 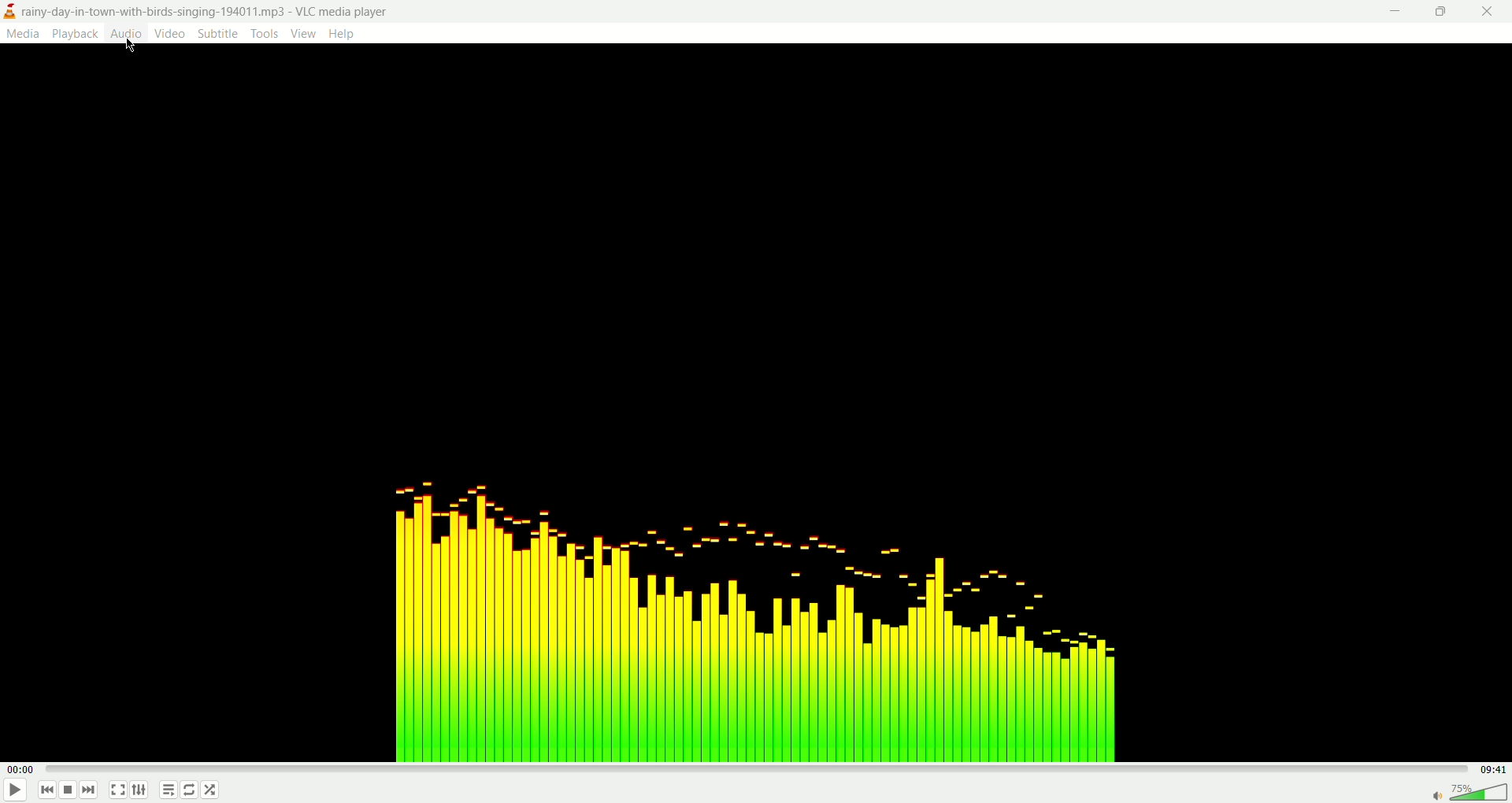 What do you see at coordinates (211, 790) in the screenshot?
I see `shuffle` at bounding box center [211, 790].